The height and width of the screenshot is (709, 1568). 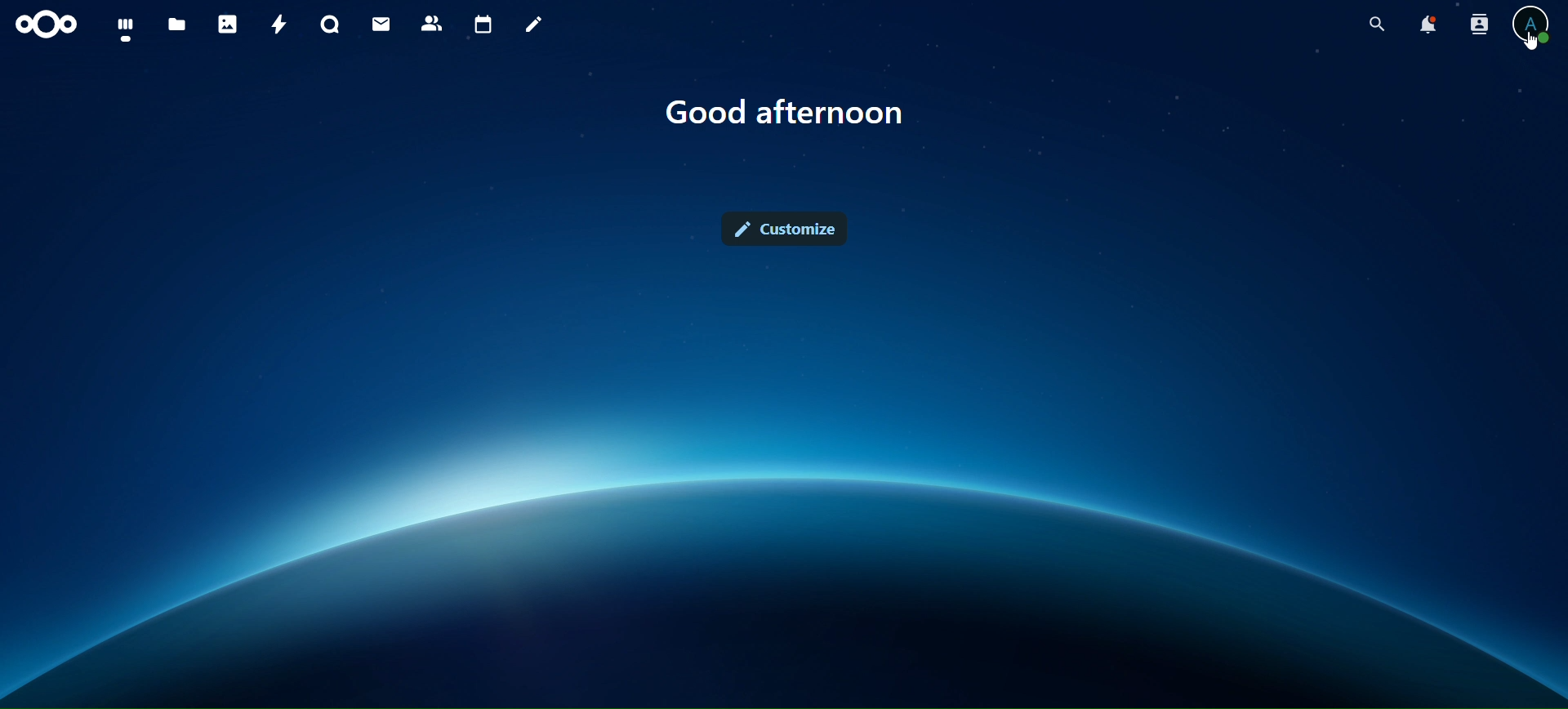 What do you see at coordinates (225, 25) in the screenshot?
I see `photos` at bounding box center [225, 25].